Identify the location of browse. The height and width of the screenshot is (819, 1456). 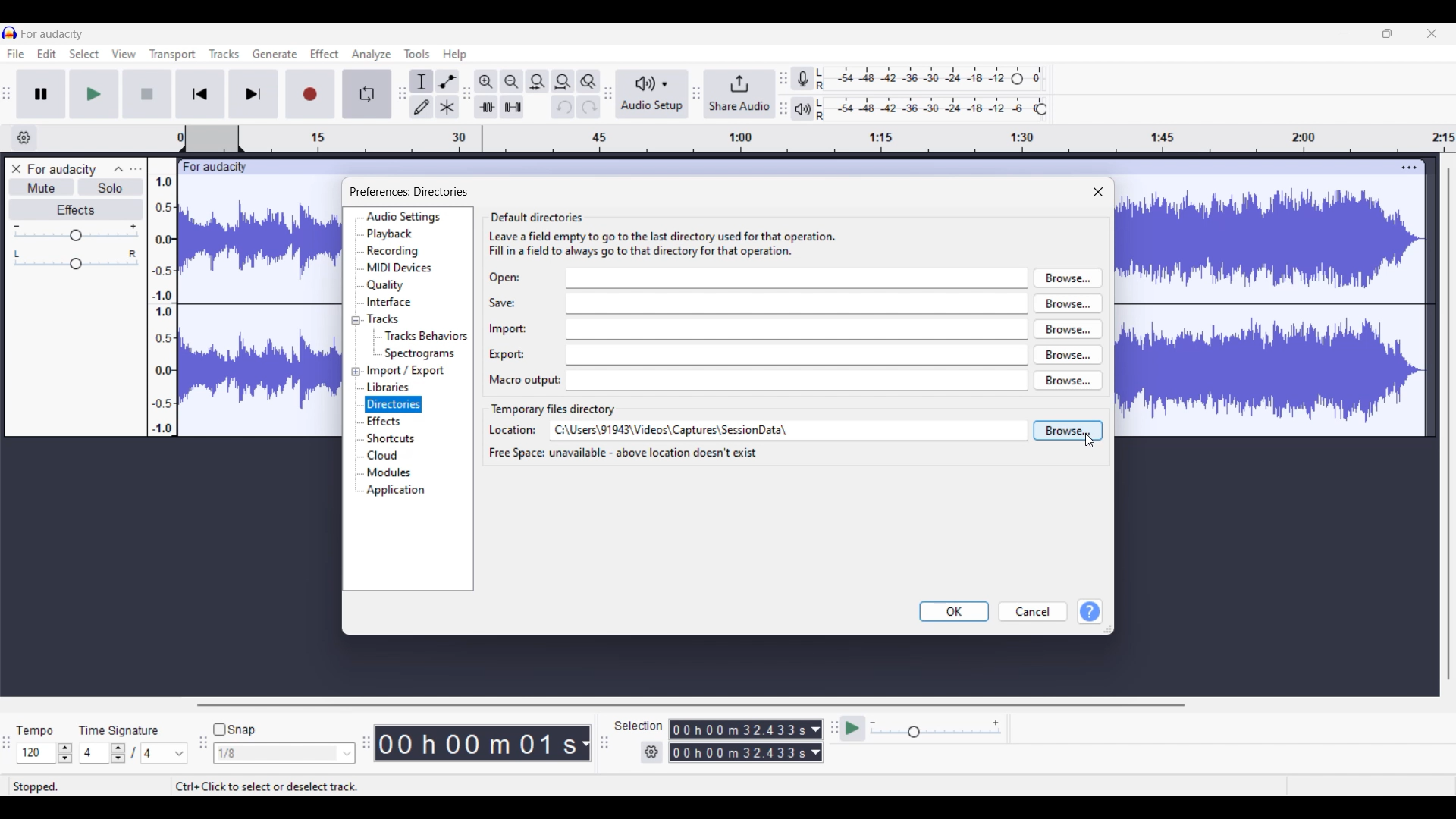
(1068, 328).